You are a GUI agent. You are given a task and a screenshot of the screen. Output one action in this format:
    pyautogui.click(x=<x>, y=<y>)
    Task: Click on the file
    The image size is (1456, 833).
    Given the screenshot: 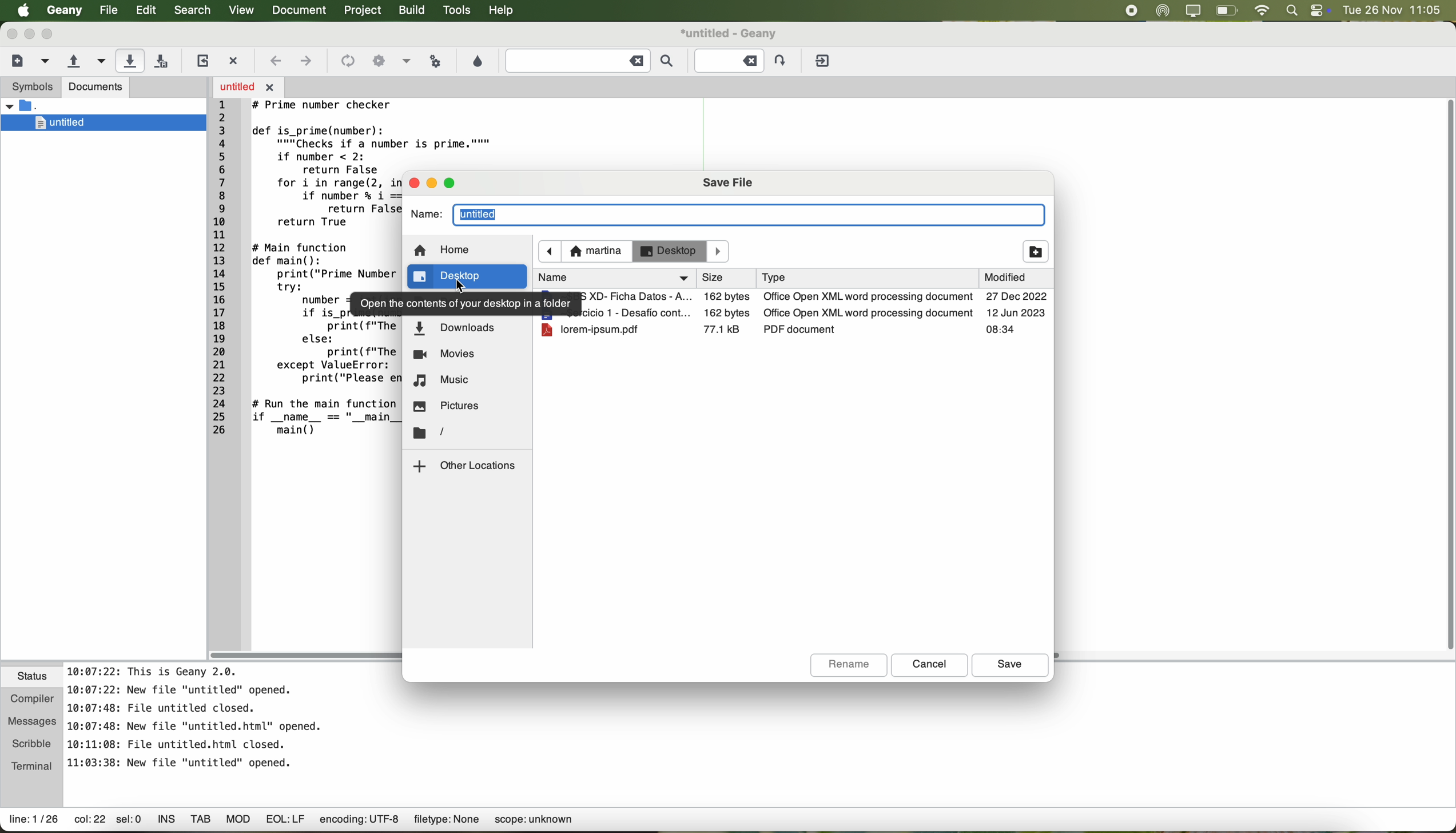 What is the action you would take?
    pyautogui.click(x=789, y=331)
    